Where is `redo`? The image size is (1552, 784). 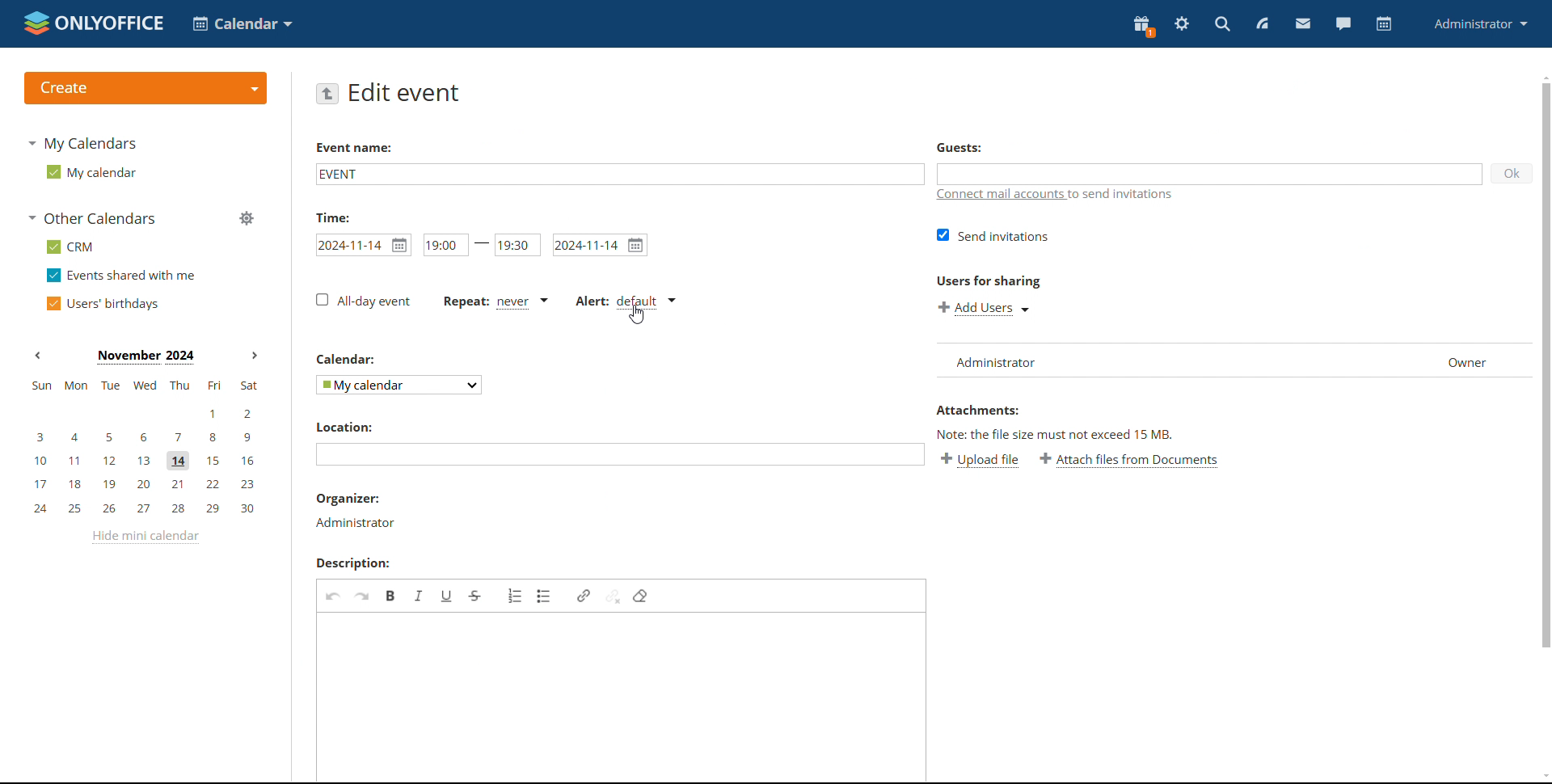 redo is located at coordinates (362, 596).